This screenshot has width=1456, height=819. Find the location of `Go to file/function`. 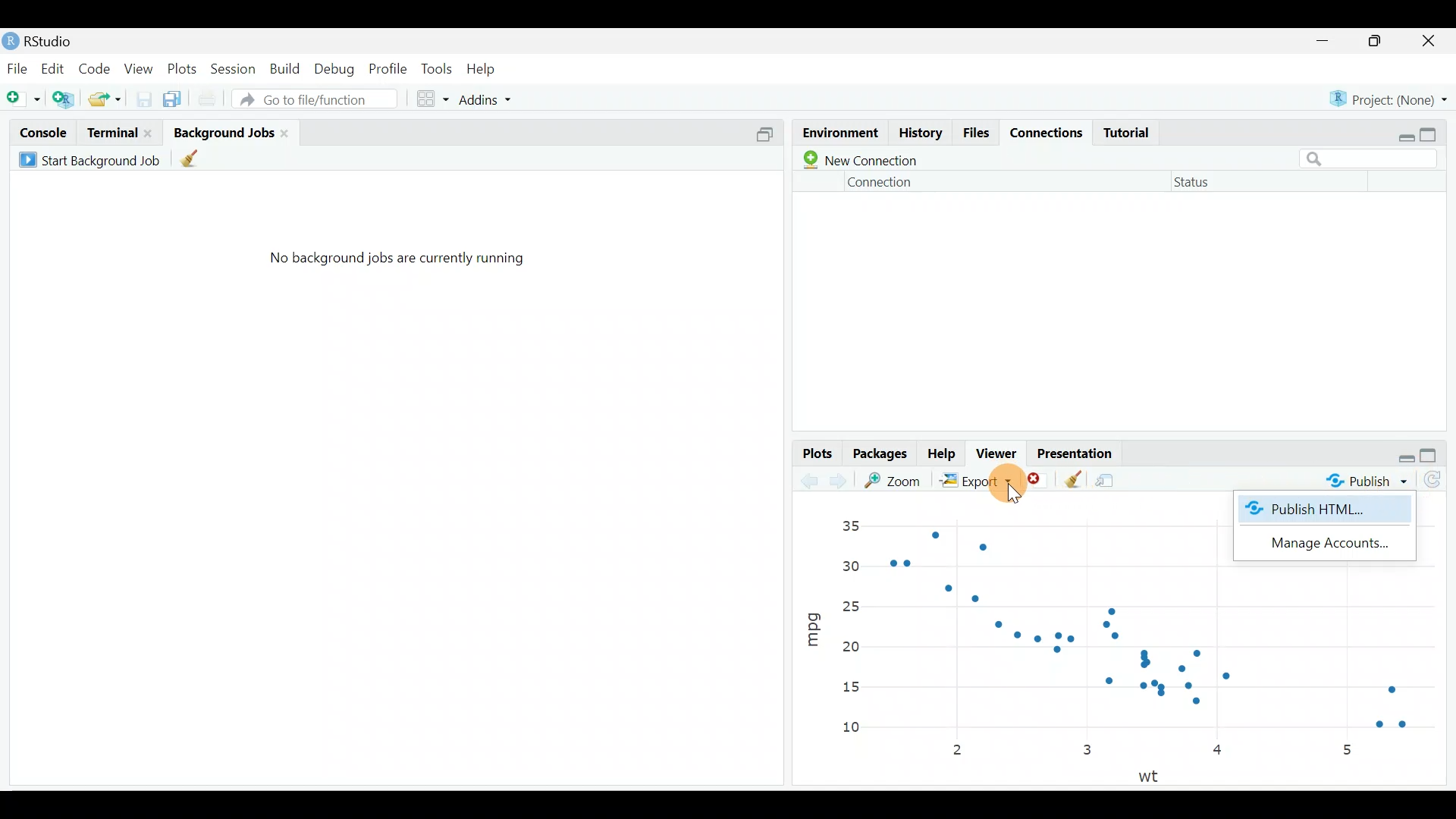

Go to file/function is located at coordinates (313, 99).